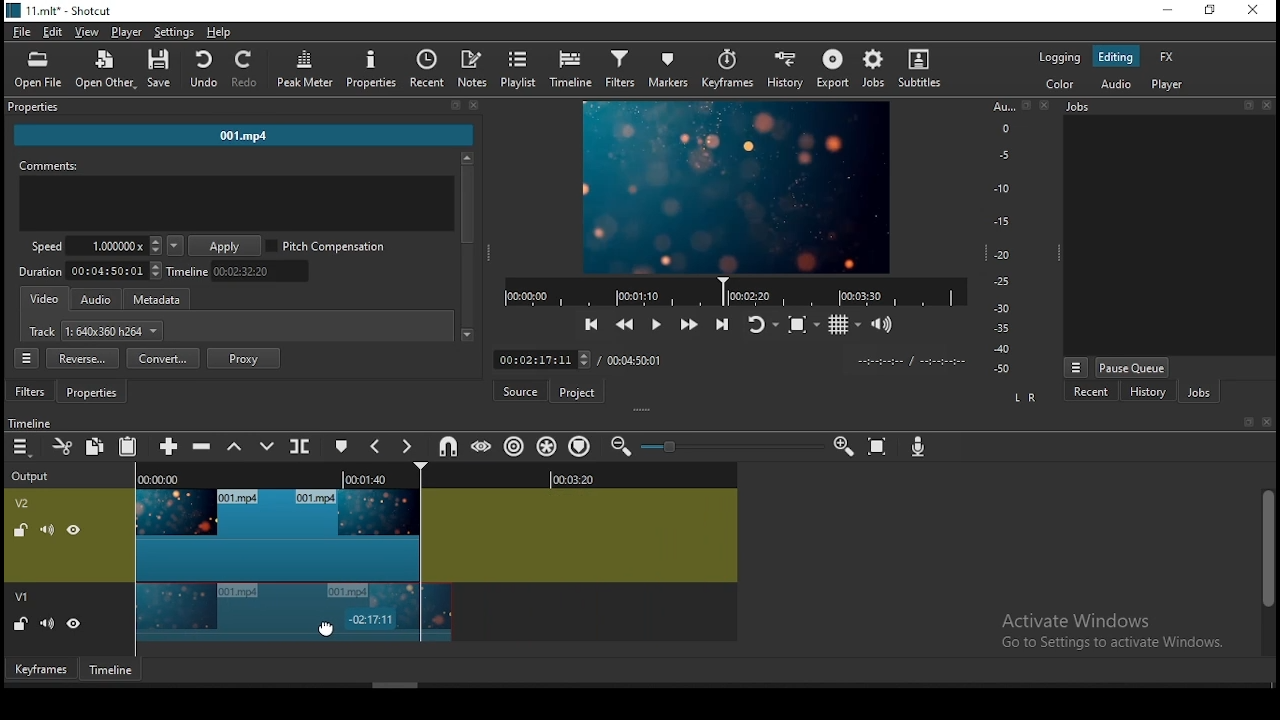 This screenshot has height=720, width=1280. I want to click on scroll bar, so click(1266, 570).